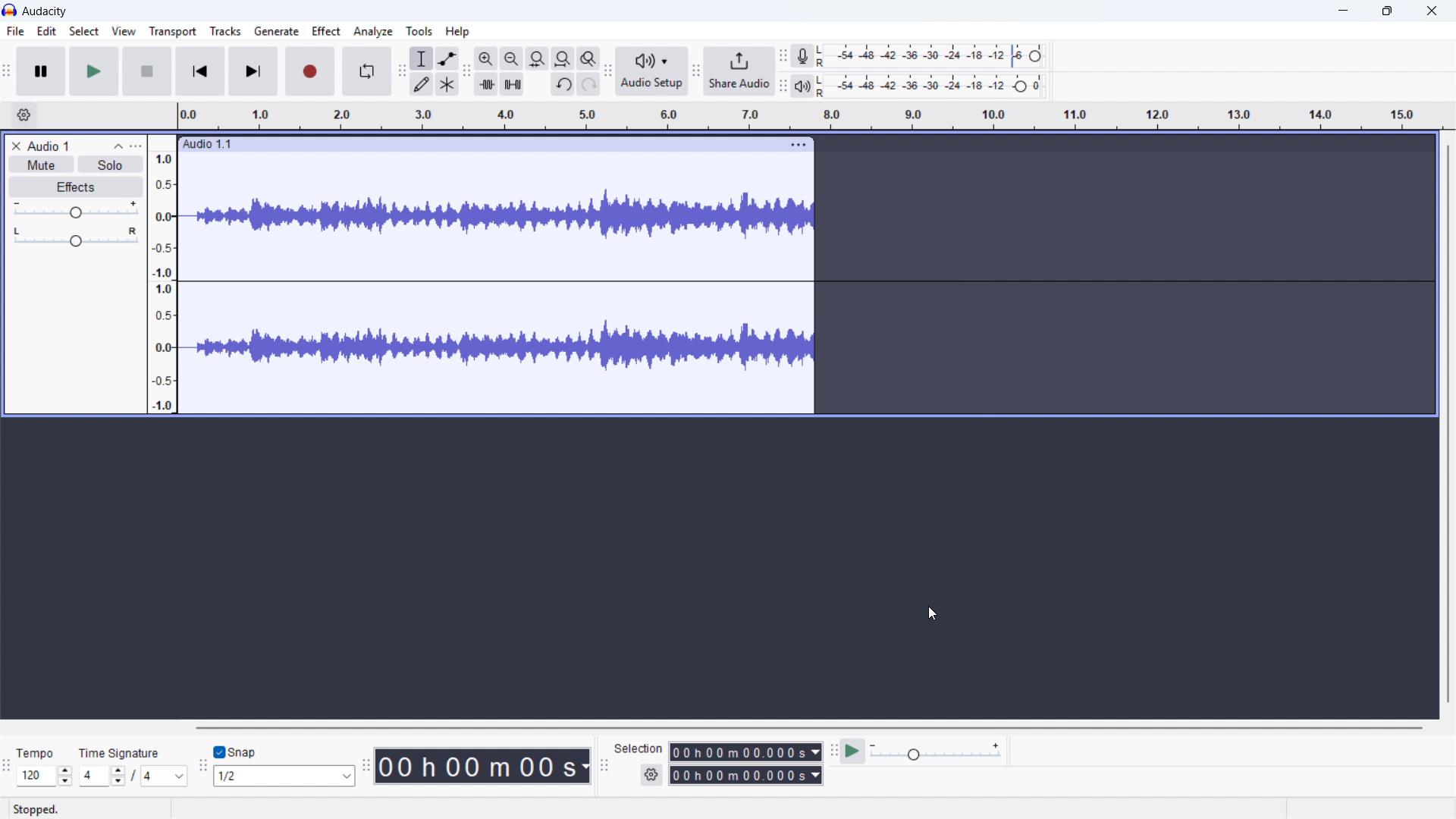 This screenshot has width=1456, height=819. Describe the element at coordinates (275, 30) in the screenshot. I see `Generate ` at that location.